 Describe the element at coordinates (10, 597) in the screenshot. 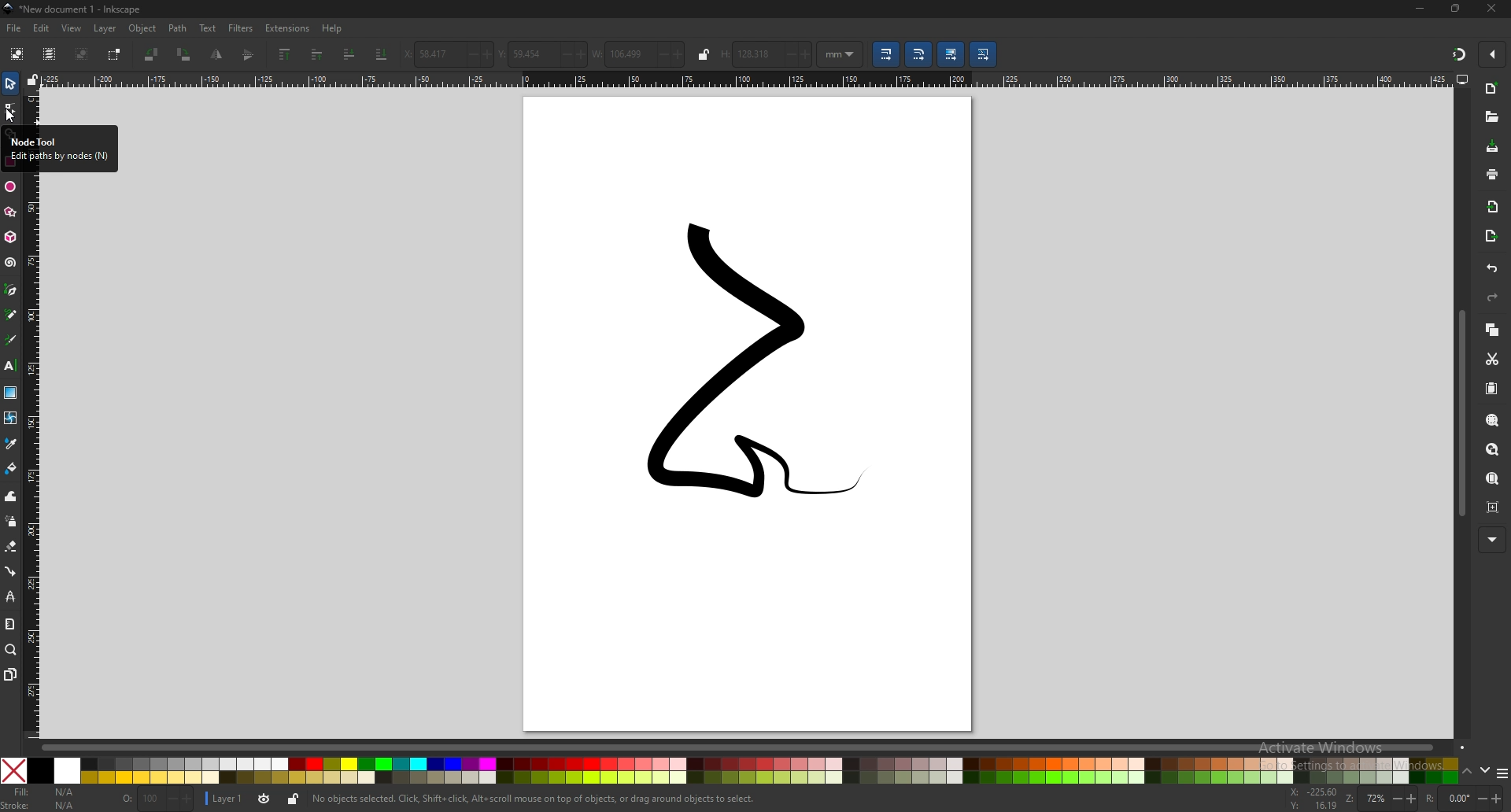

I see `lpe` at that location.